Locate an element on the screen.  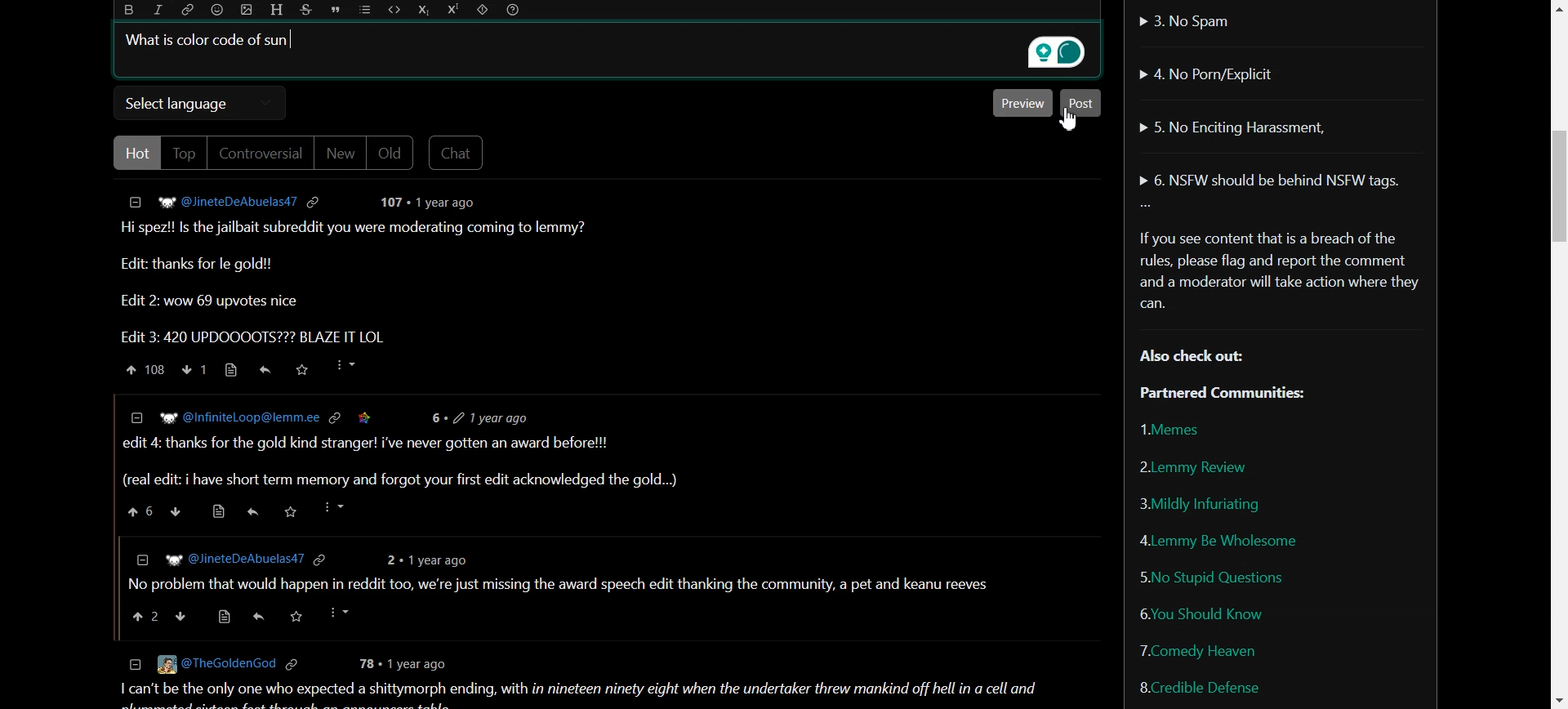
down vote is located at coordinates (176, 511).